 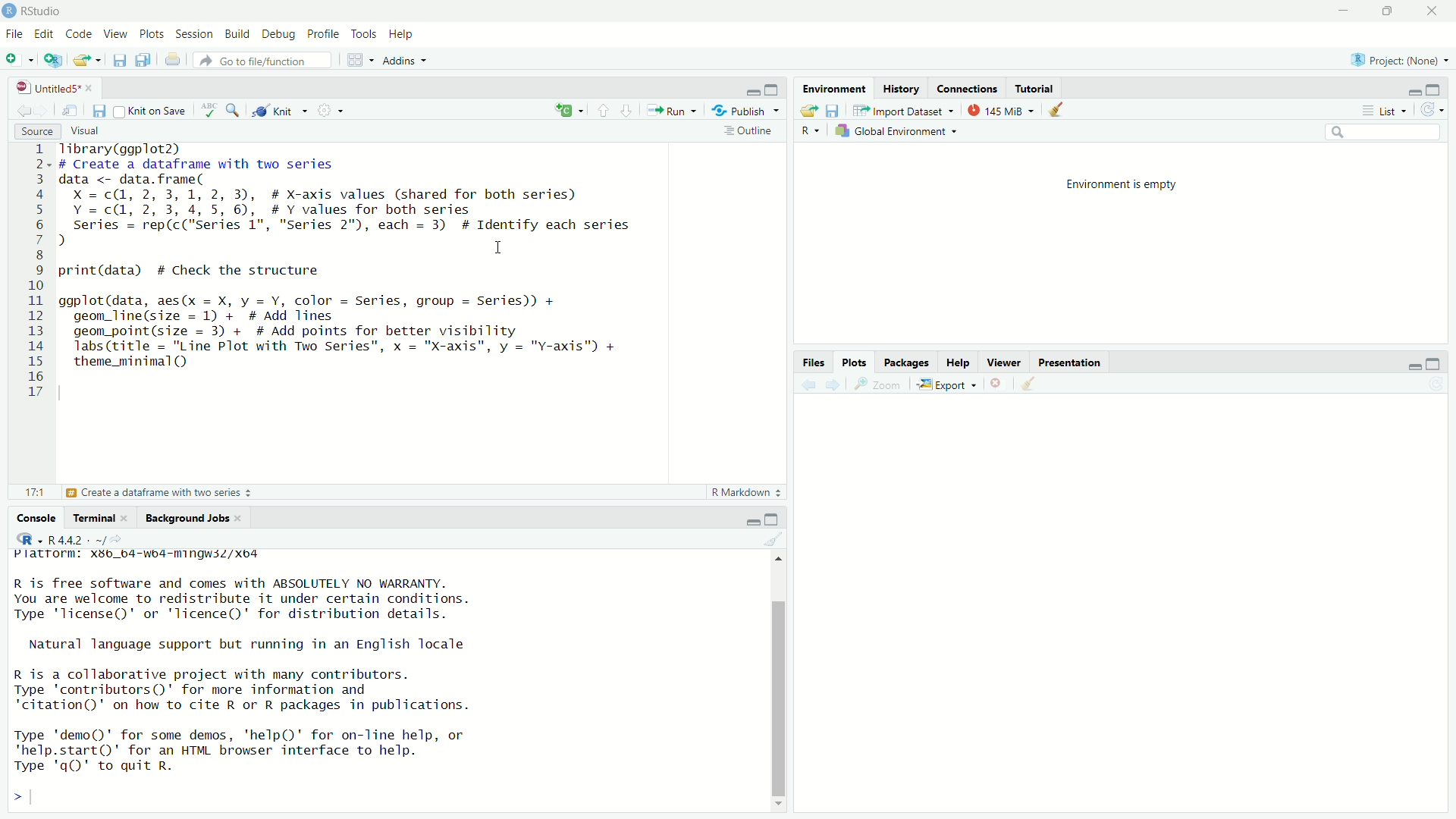 What do you see at coordinates (570, 110) in the screenshot?
I see `C` at bounding box center [570, 110].